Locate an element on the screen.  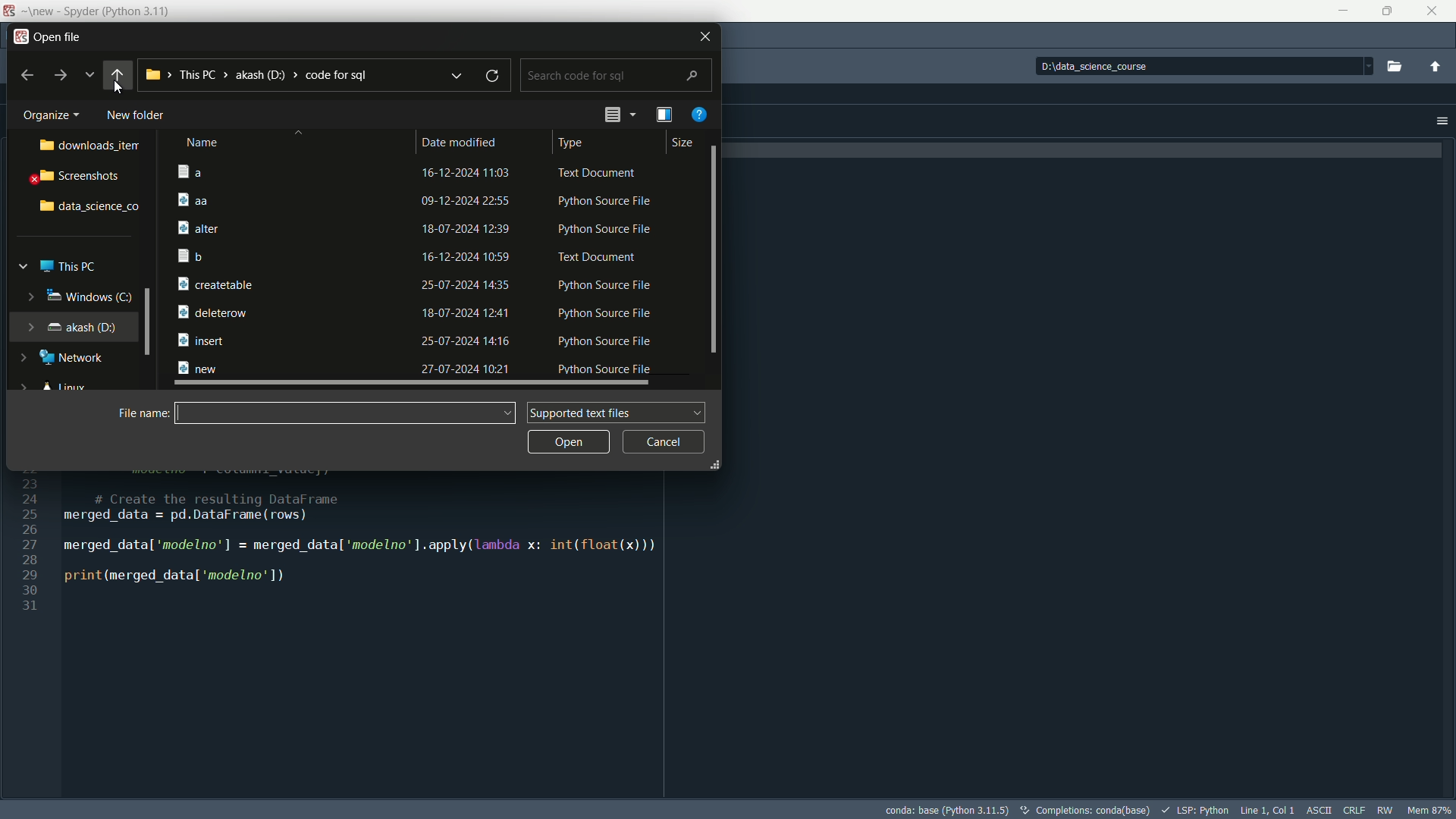
vertical scrollbar is located at coordinates (714, 249).